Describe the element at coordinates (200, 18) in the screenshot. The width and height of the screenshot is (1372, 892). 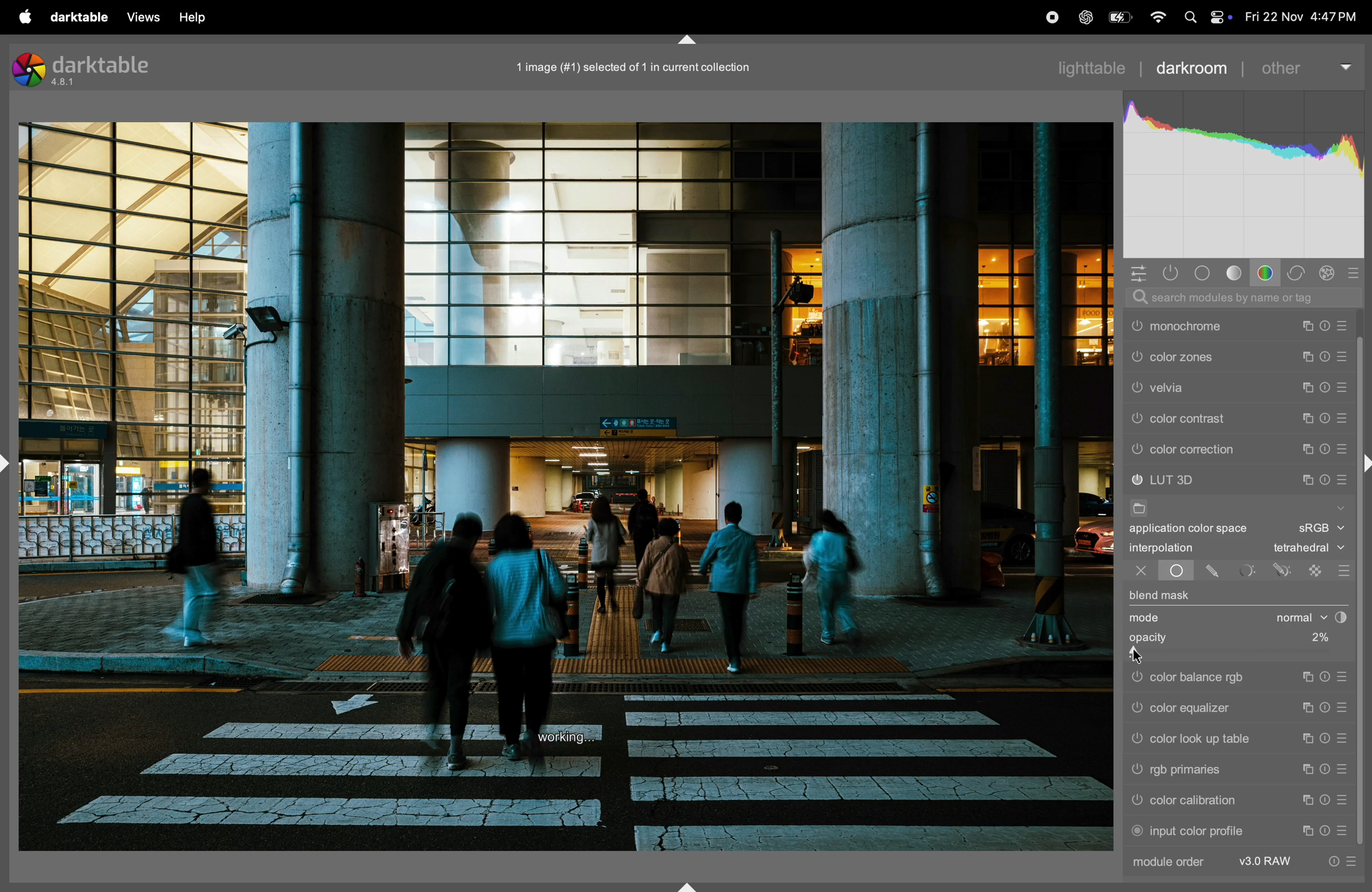
I see `view` at that location.